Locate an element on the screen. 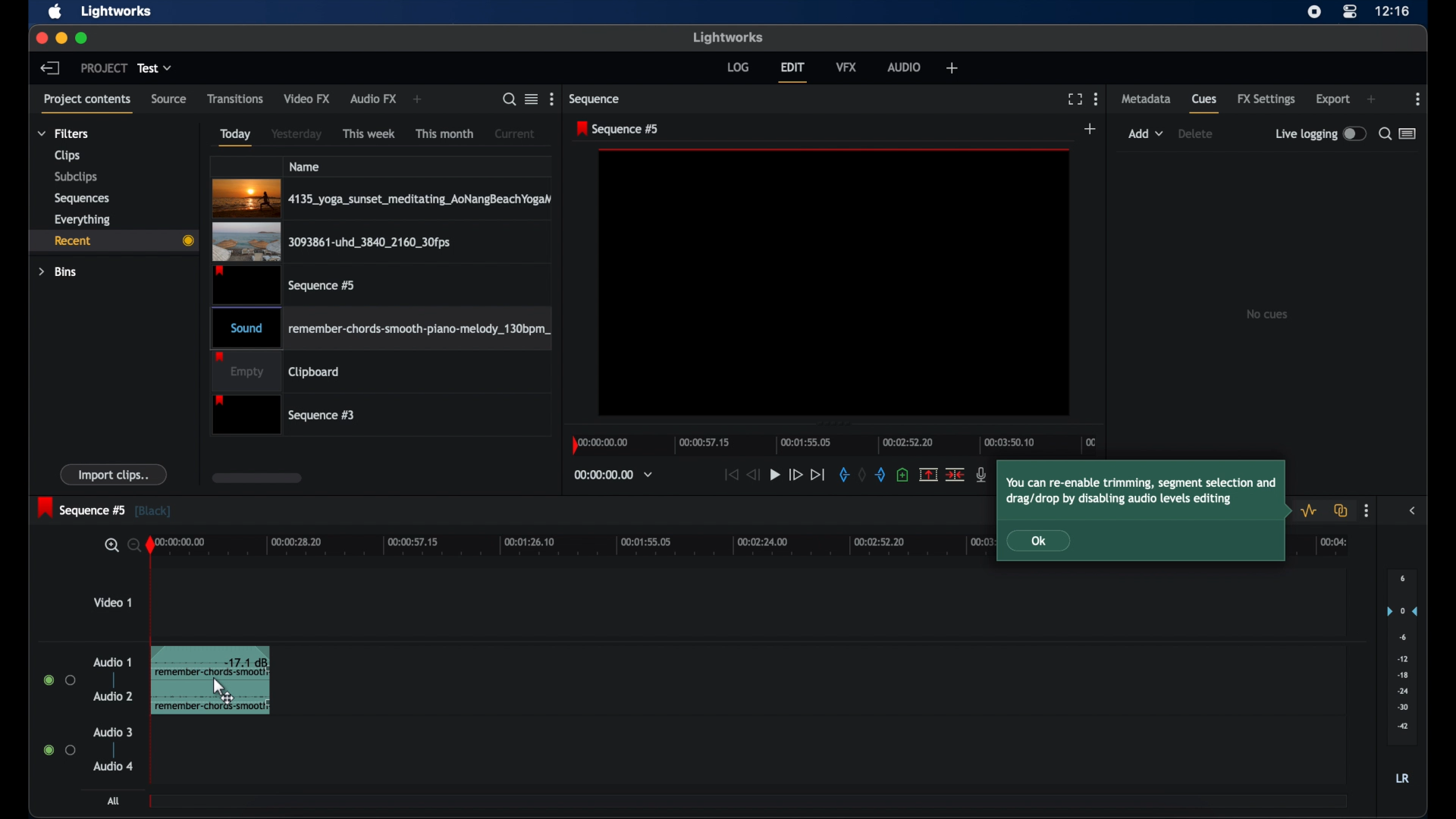  sequencies is located at coordinates (82, 199).